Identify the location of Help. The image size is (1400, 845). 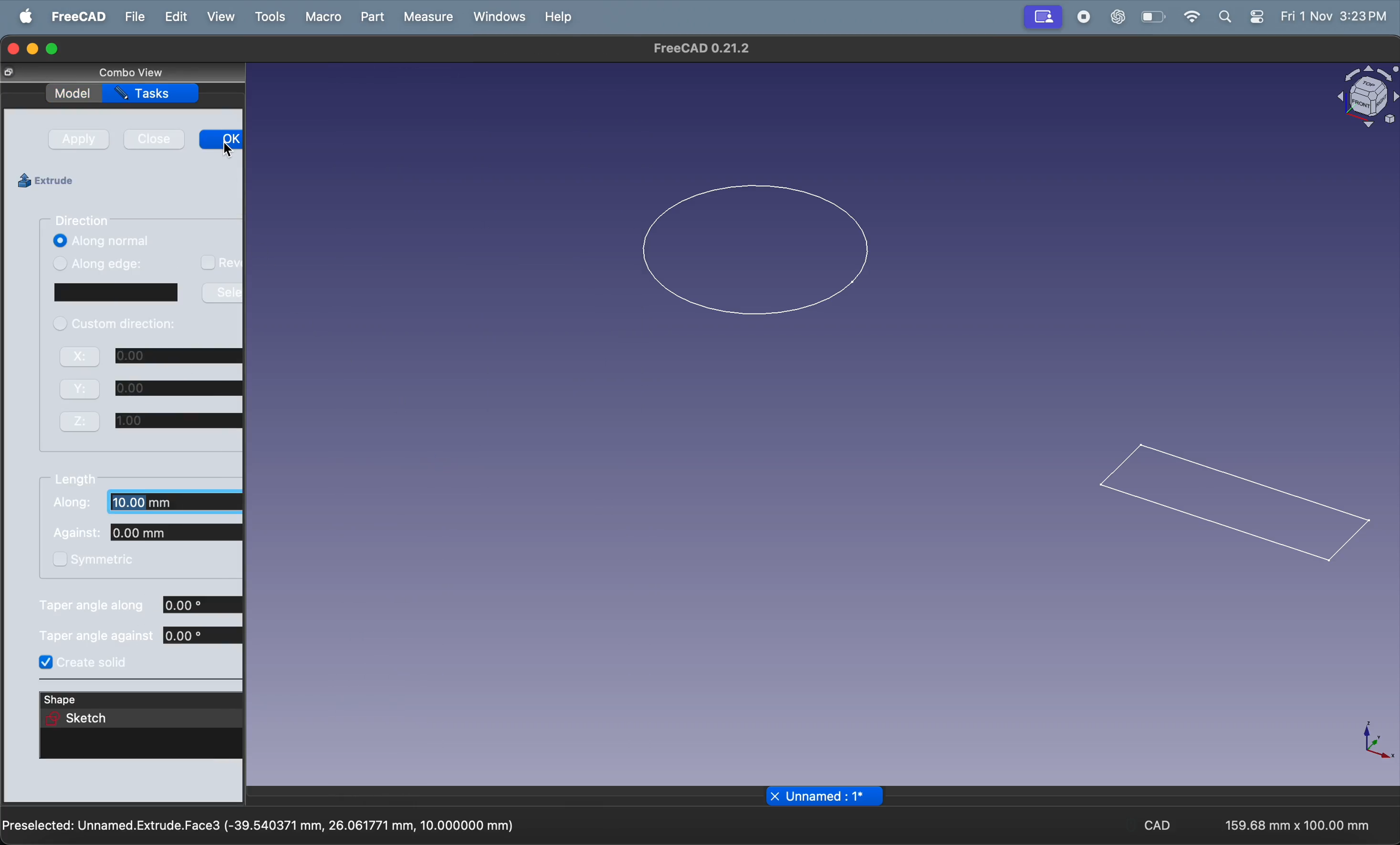
(561, 17).